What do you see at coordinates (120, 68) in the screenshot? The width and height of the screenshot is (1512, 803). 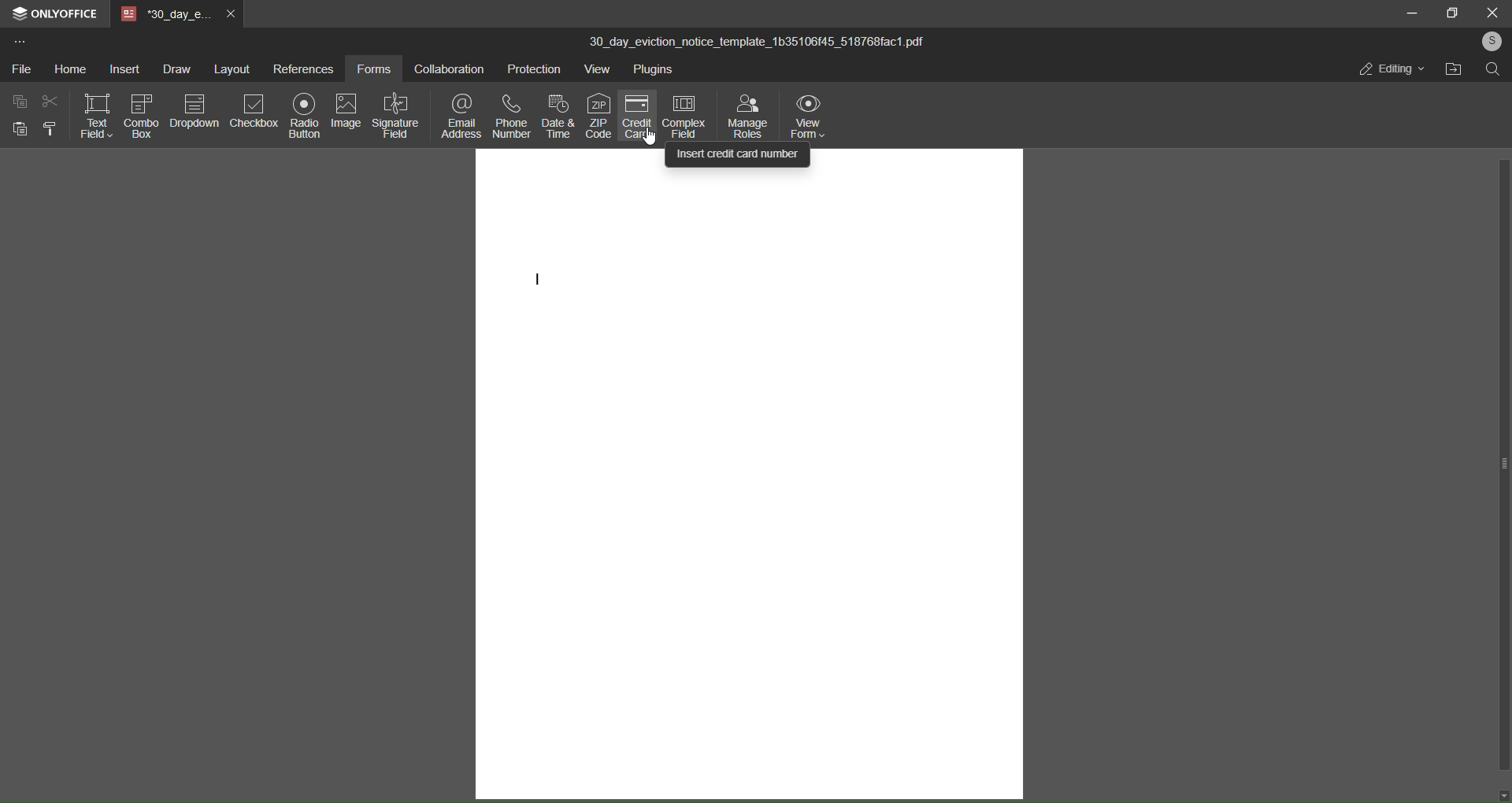 I see `insert` at bounding box center [120, 68].